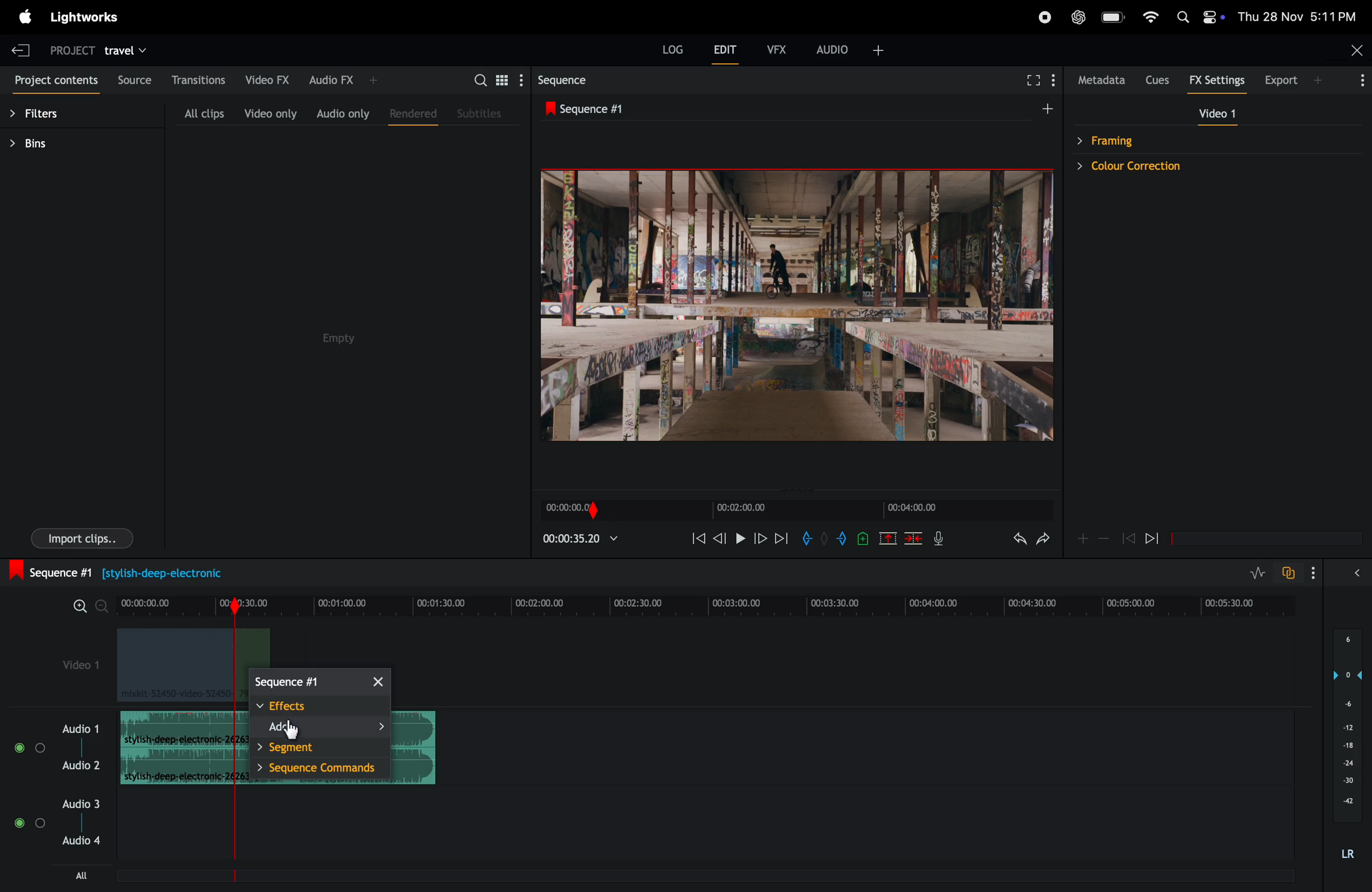 The image size is (1372, 892). Describe the element at coordinates (1011, 543) in the screenshot. I see `undo` at that location.